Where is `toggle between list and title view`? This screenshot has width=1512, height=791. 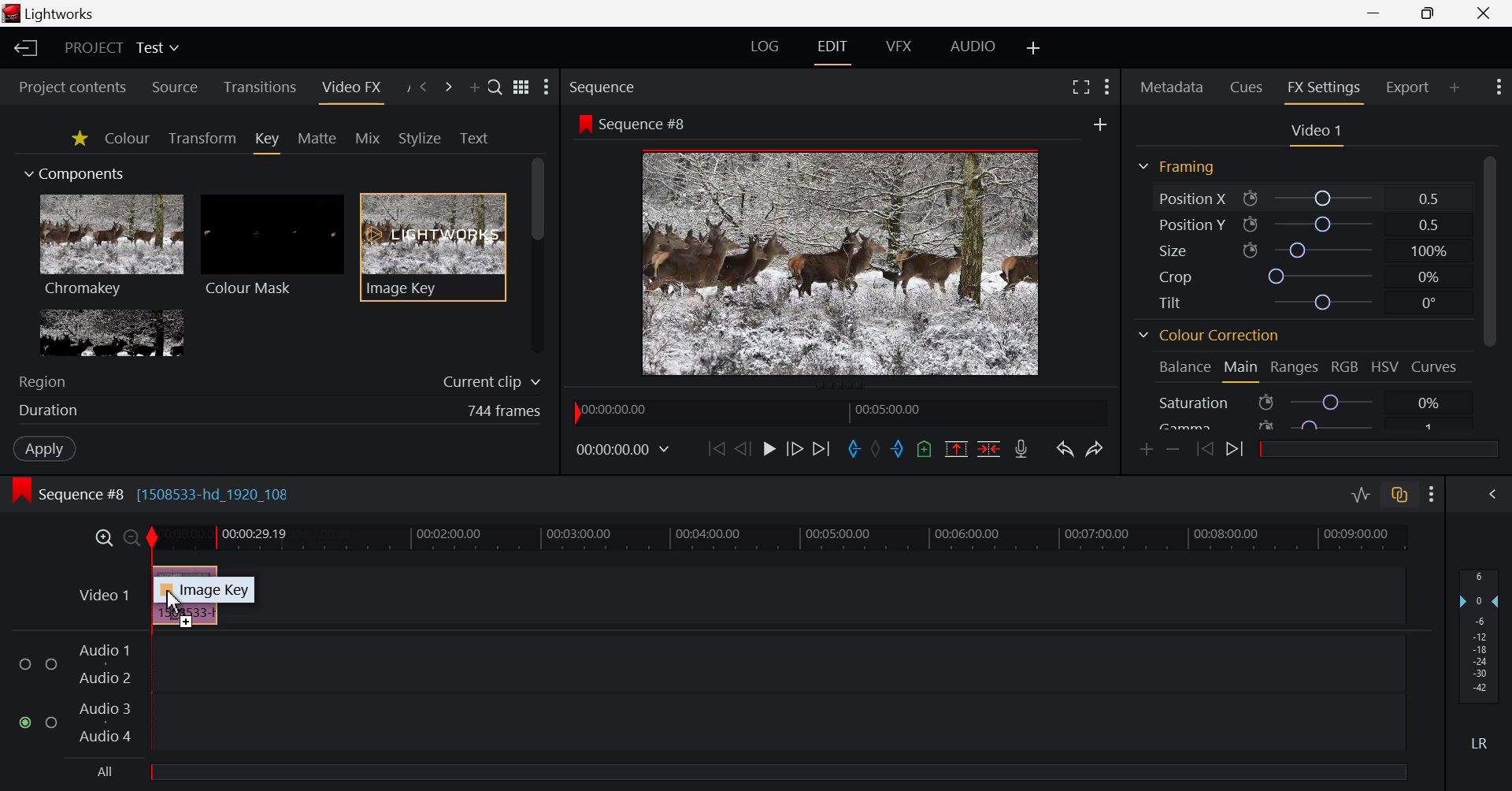
toggle between list and title view is located at coordinates (521, 85).